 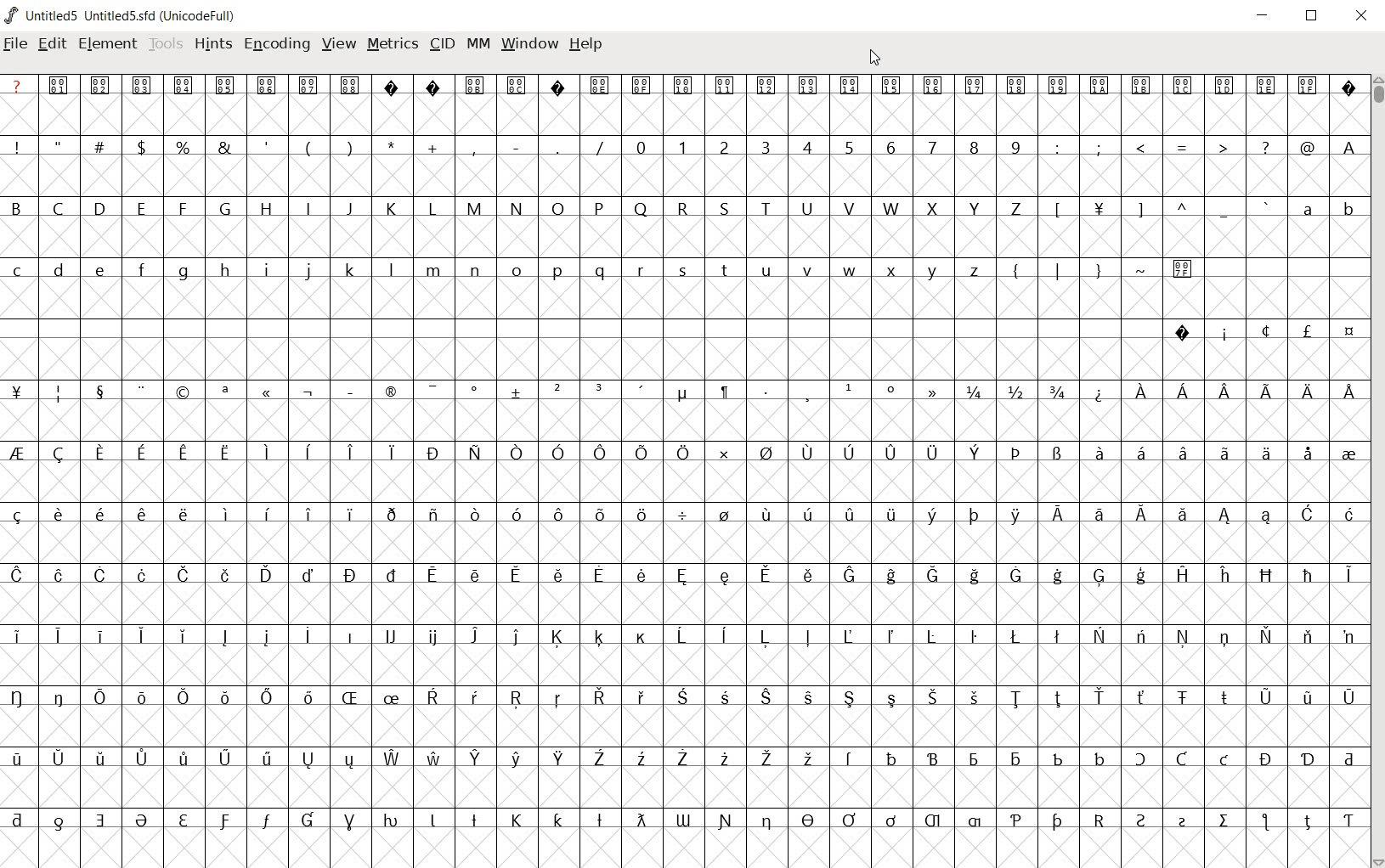 I want to click on Symbol, so click(x=1348, y=819).